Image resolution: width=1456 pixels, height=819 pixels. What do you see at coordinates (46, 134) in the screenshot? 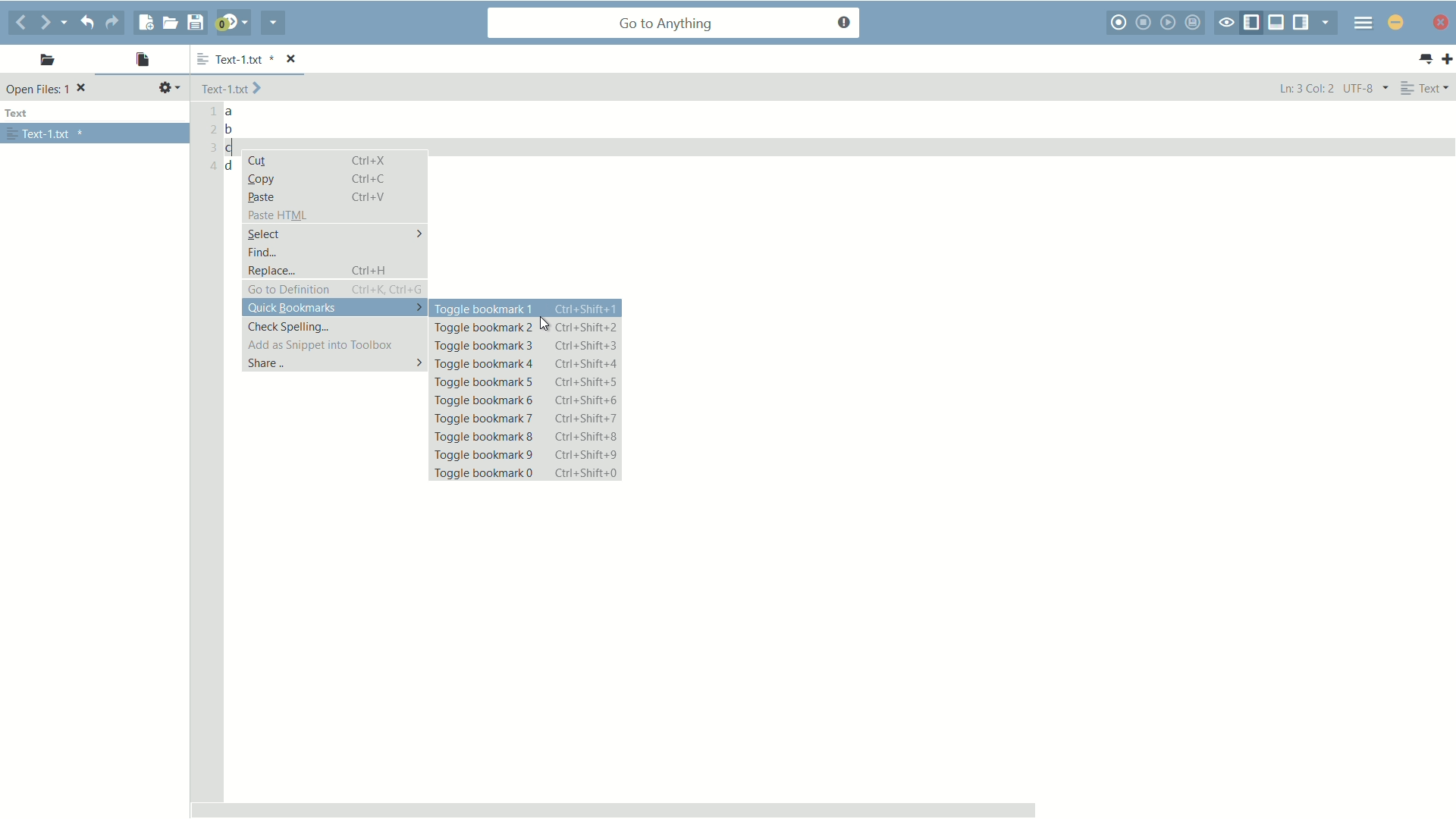
I see `Text-1.txt *` at bounding box center [46, 134].